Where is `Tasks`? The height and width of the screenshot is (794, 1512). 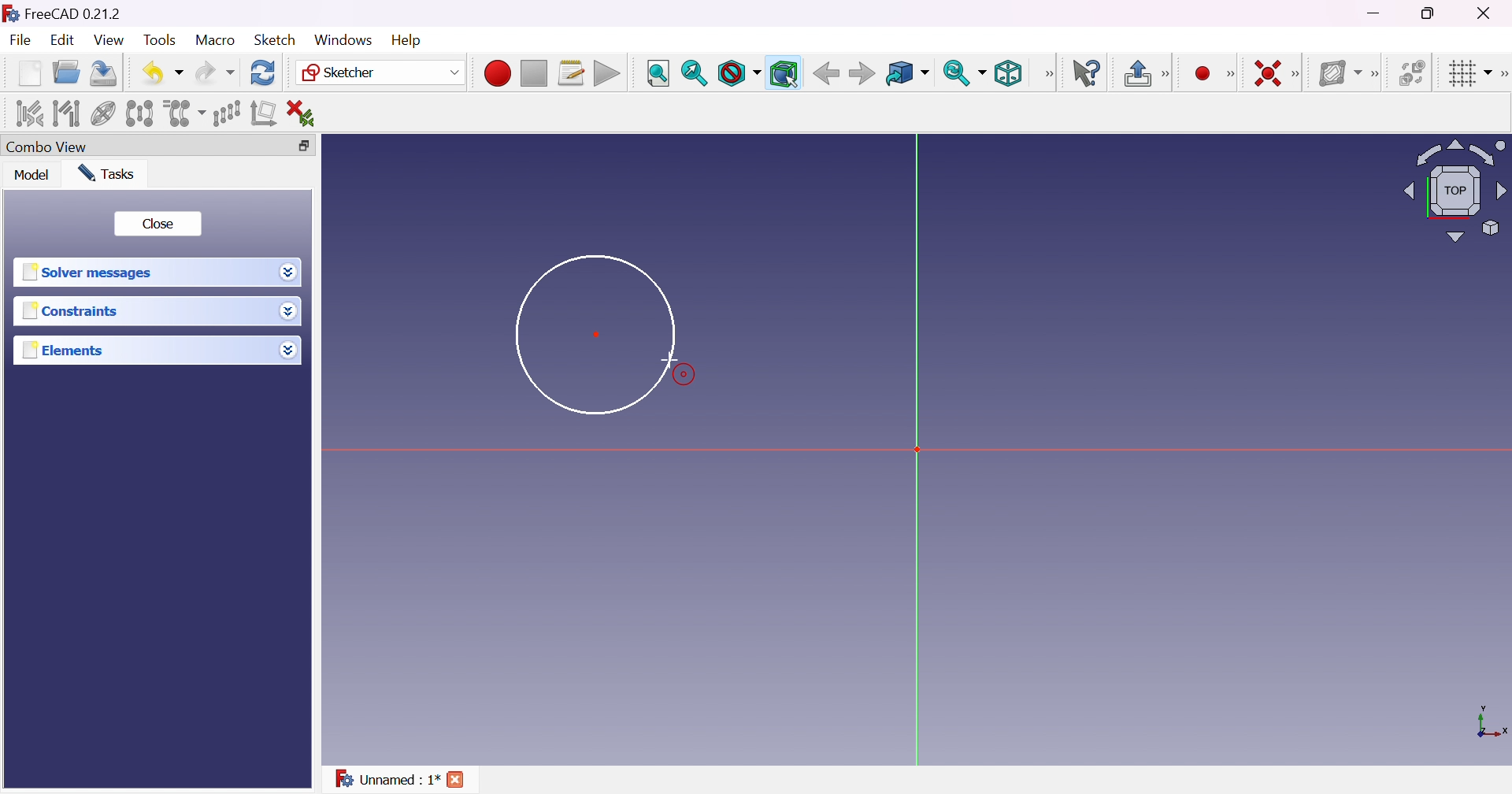
Tasks is located at coordinates (107, 173).